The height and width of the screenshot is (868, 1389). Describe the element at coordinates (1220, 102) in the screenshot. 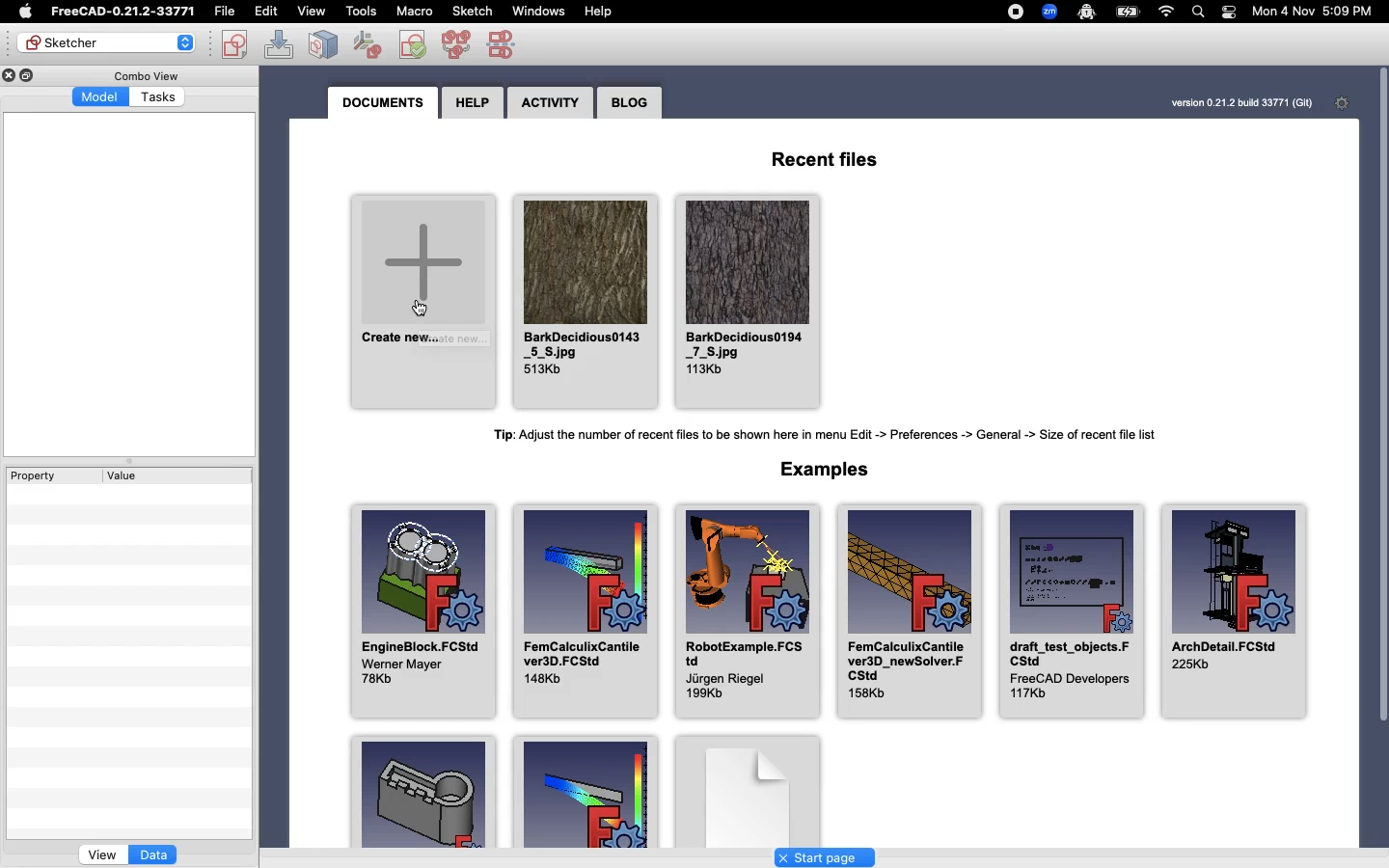

I see `version 0.21.2 build 33771 (Git)` at that location.